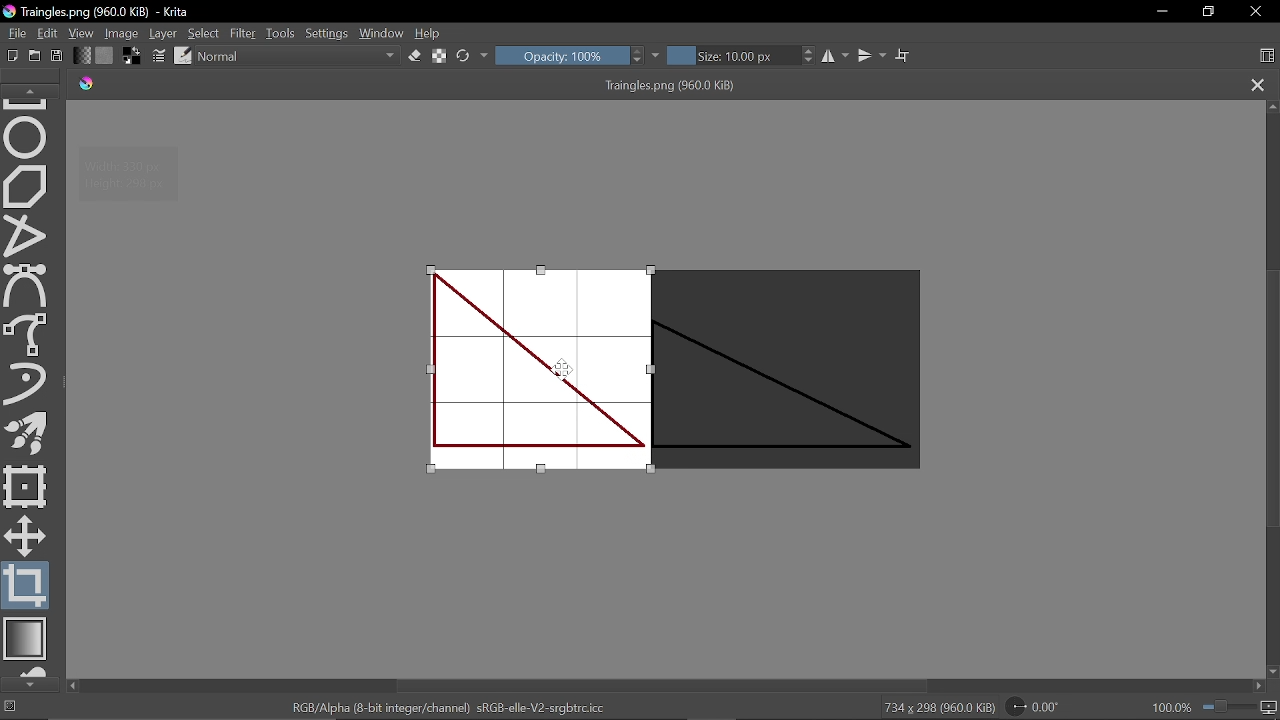  Describe the element at coordinates (837, 56) in the screenshot. I see `Horizontal mirror tool` at that location.